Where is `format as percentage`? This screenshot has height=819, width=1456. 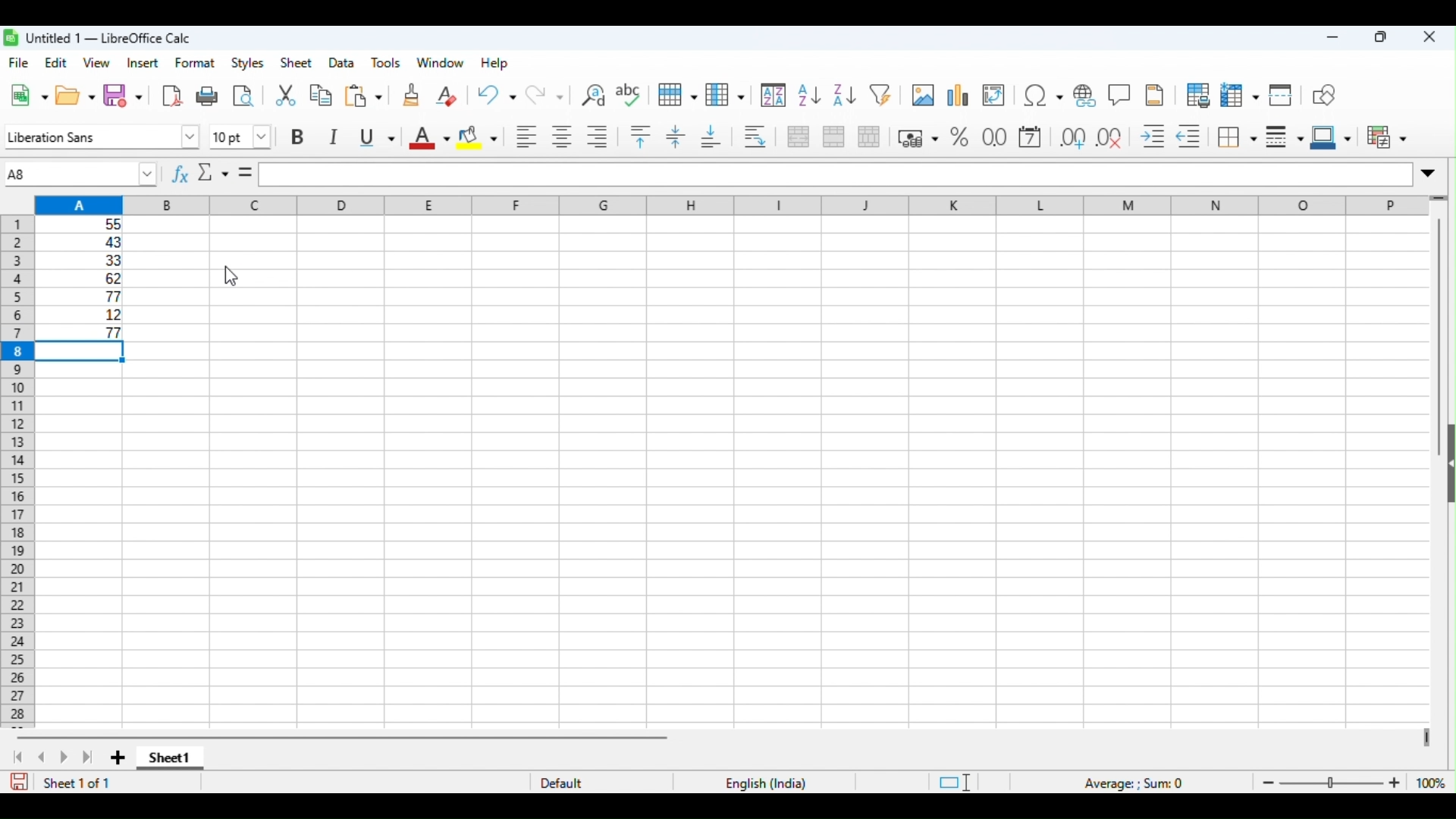 format as percentage is located at coordinates (961, 138).